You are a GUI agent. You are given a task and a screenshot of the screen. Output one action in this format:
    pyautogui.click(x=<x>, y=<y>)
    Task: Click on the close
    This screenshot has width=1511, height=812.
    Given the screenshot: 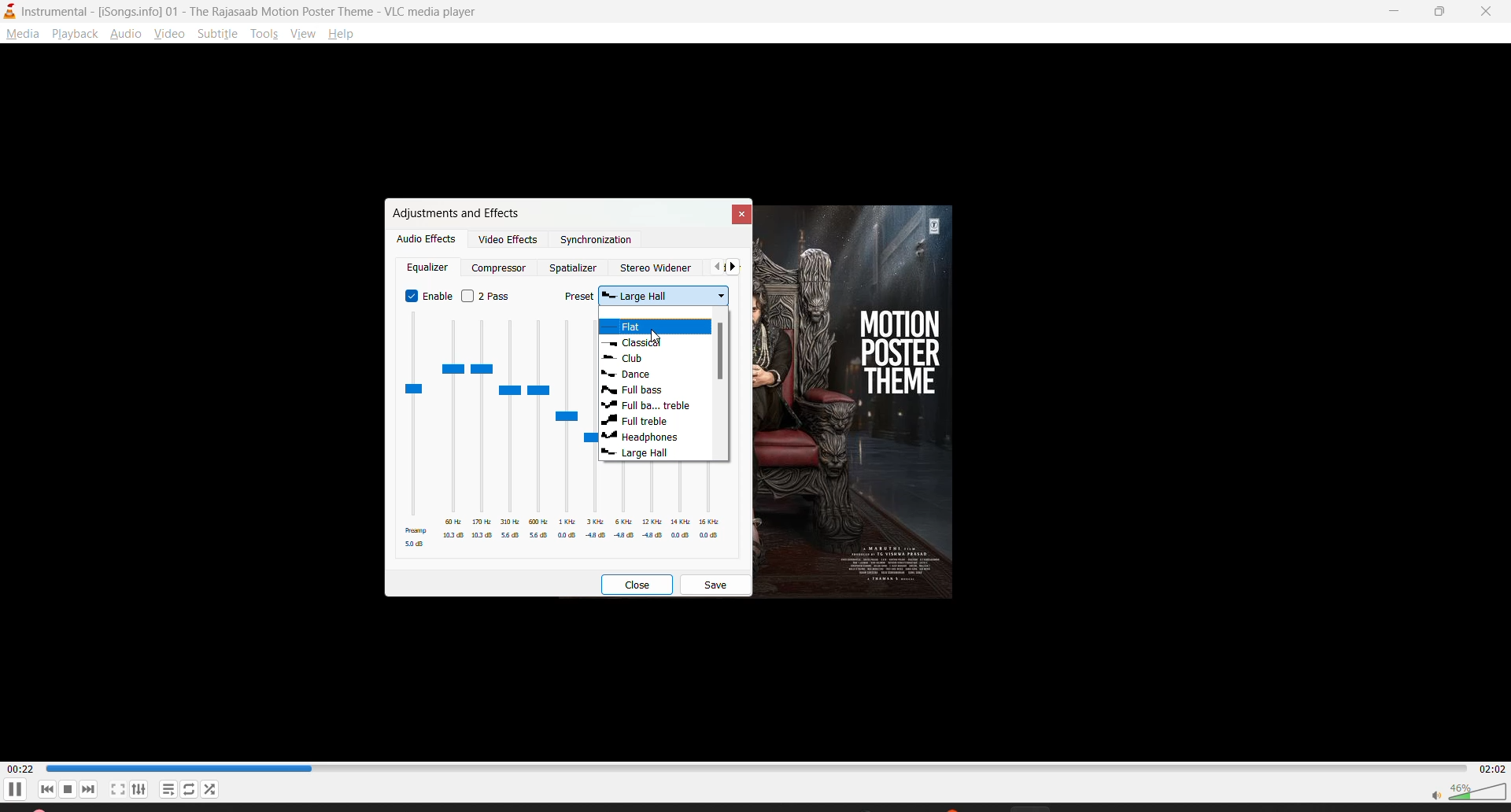 What is the action you would take?
    pyautogui.click(x=738, y=212)
    